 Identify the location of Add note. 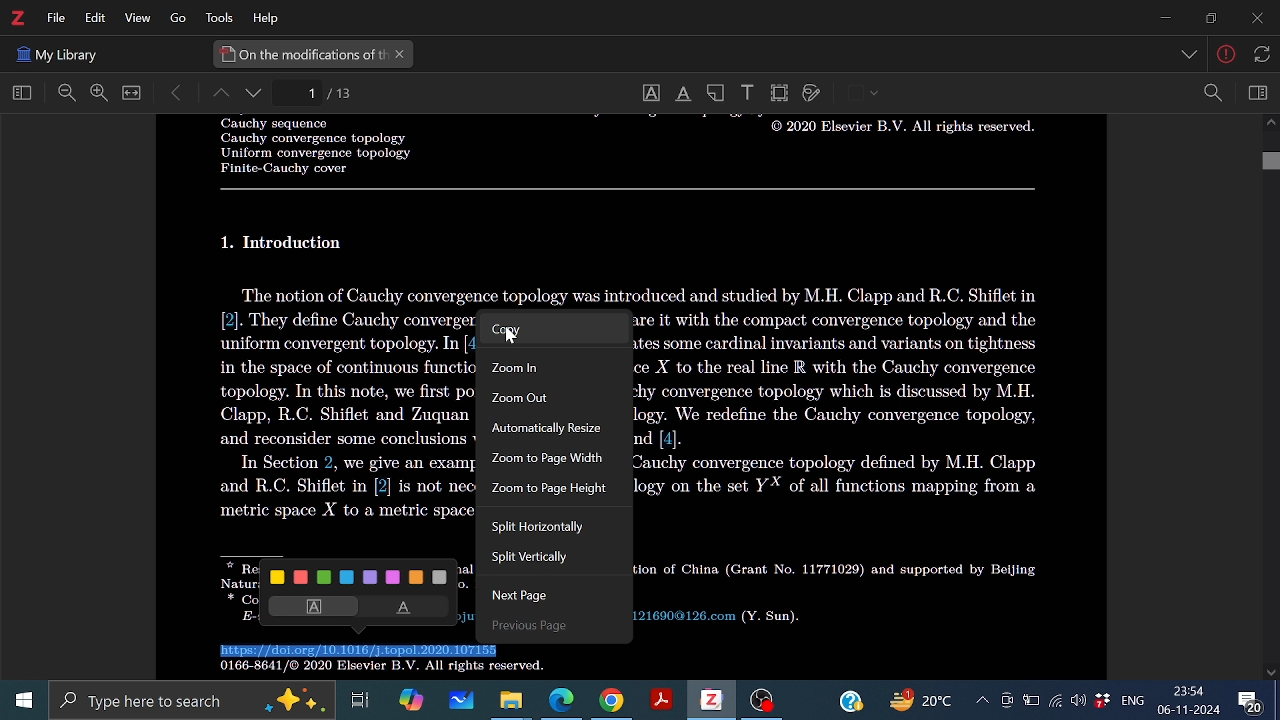
(718, 92).